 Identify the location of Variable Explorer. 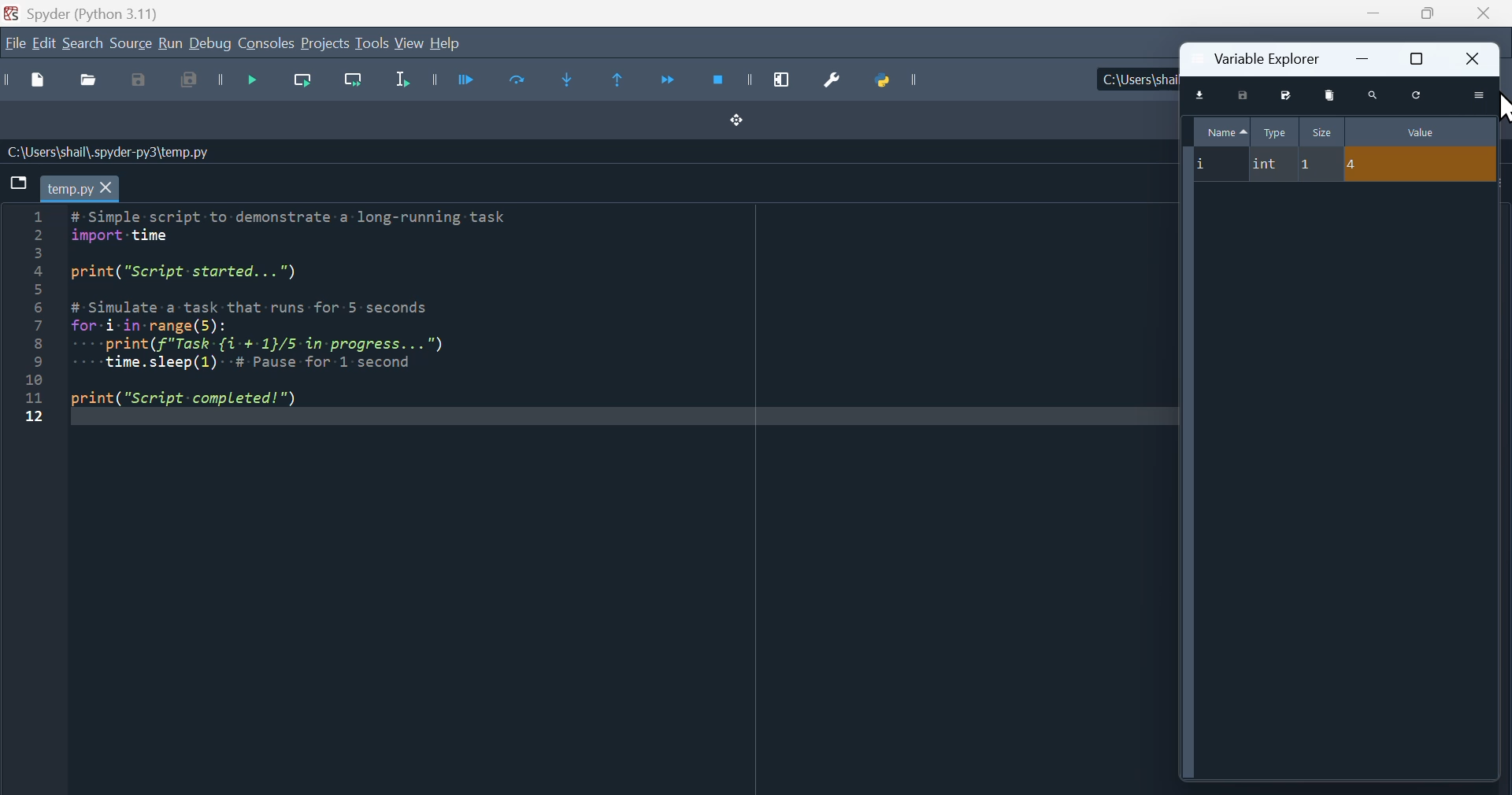
(1264, 57).